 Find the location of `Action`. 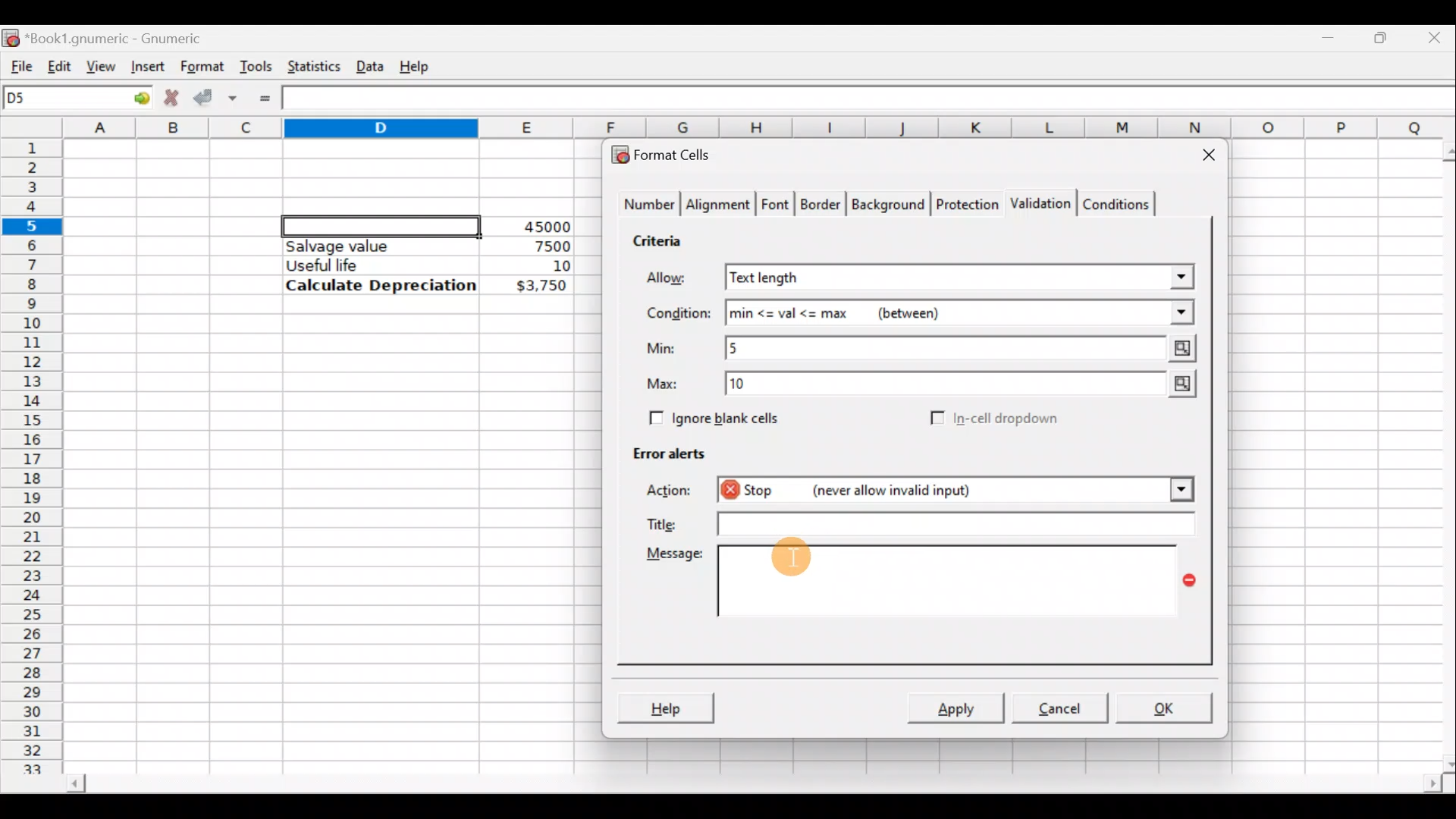

Action is located at coordinates (673, 493).